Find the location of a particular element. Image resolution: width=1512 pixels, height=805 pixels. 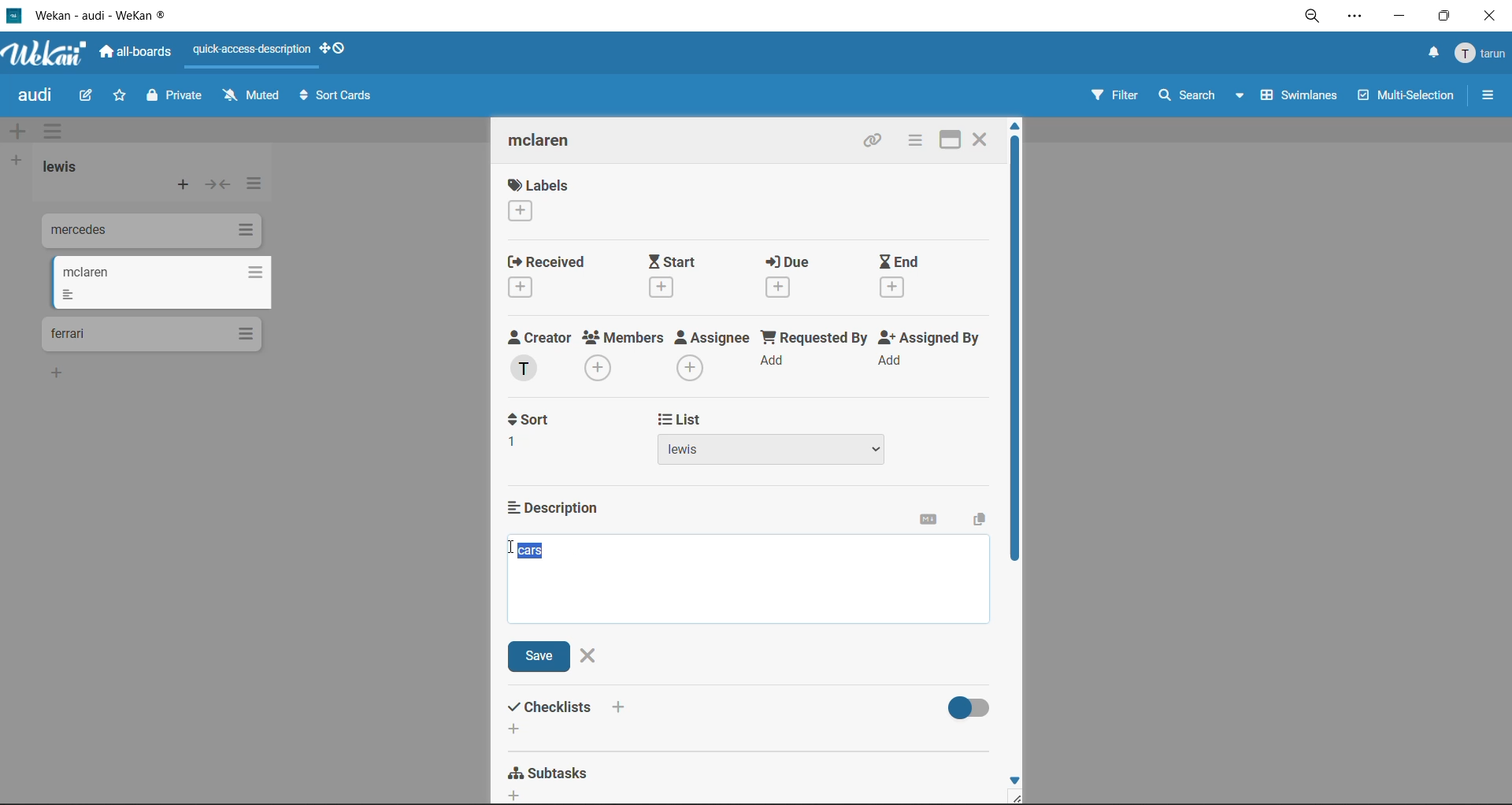

add swimlane is located at coordinates (21, 132).